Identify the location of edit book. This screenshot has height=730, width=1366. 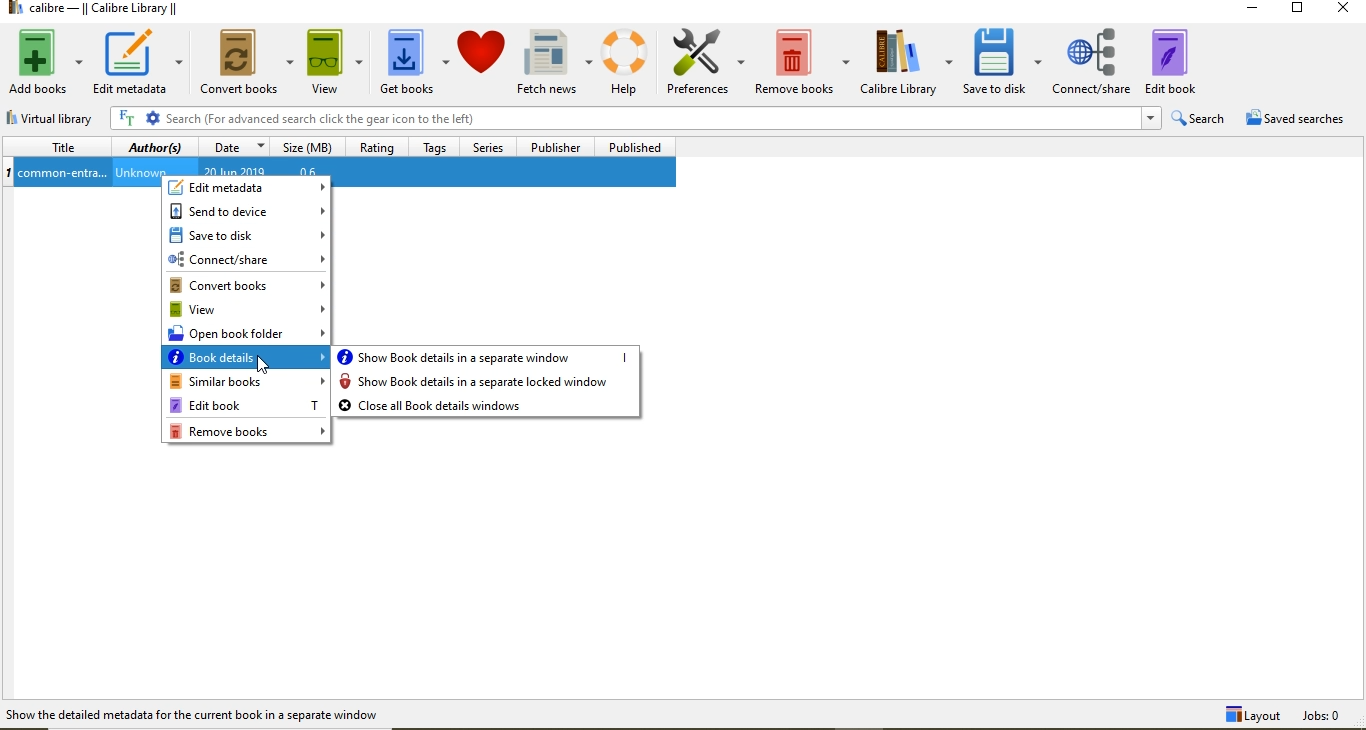
(245, 405).